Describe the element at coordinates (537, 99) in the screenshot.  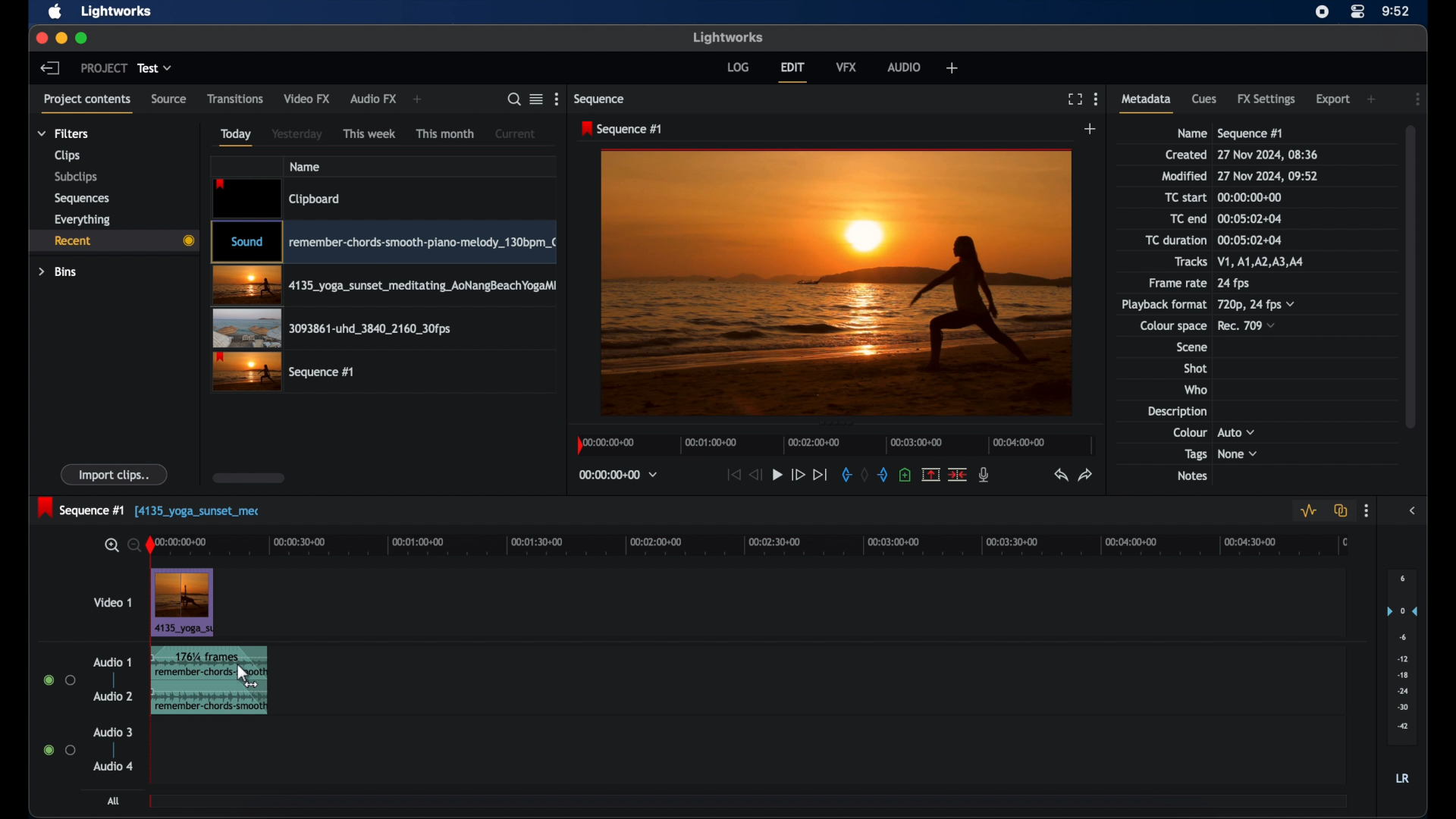
I see `google list or tile view` at that location.